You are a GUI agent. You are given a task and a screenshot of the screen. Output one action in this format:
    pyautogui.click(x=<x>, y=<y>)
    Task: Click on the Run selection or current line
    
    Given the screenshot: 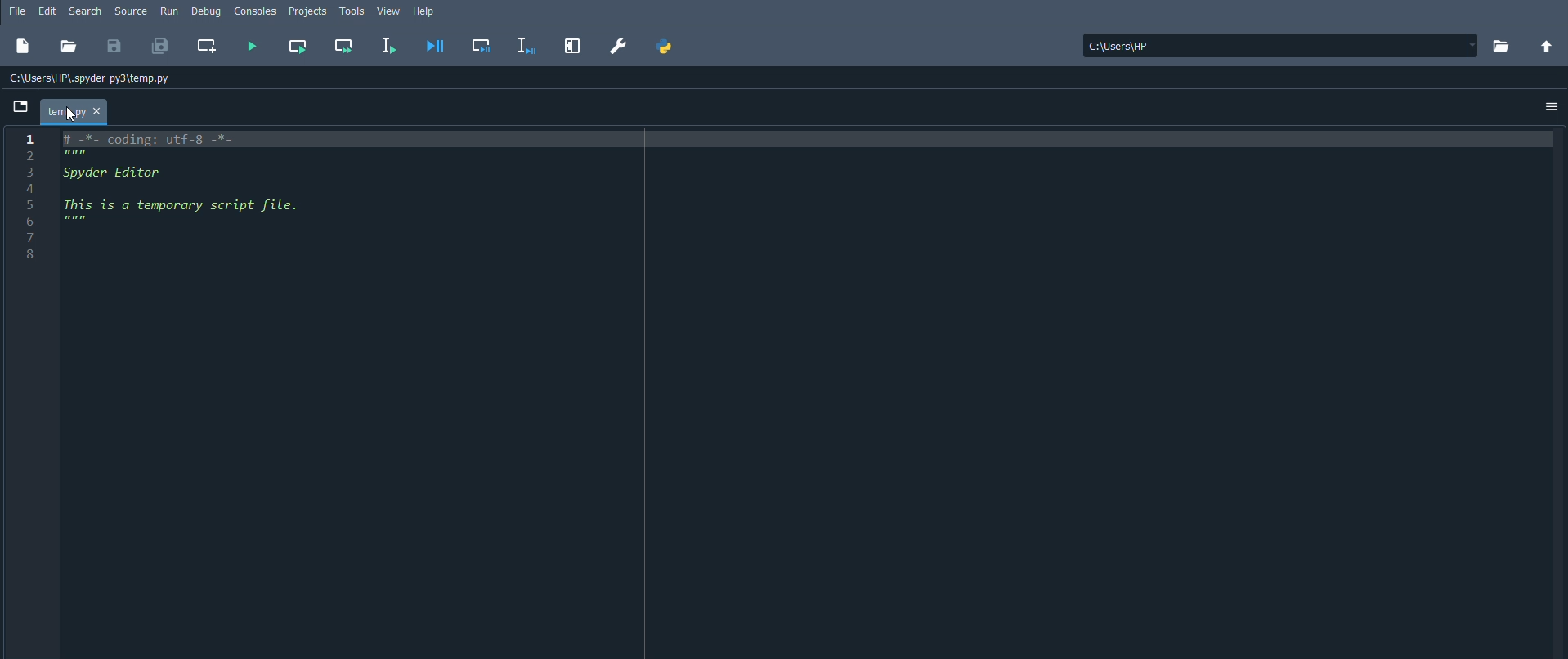 What is the action you would take?
    pyautogui.click(x=388, y=46)
    